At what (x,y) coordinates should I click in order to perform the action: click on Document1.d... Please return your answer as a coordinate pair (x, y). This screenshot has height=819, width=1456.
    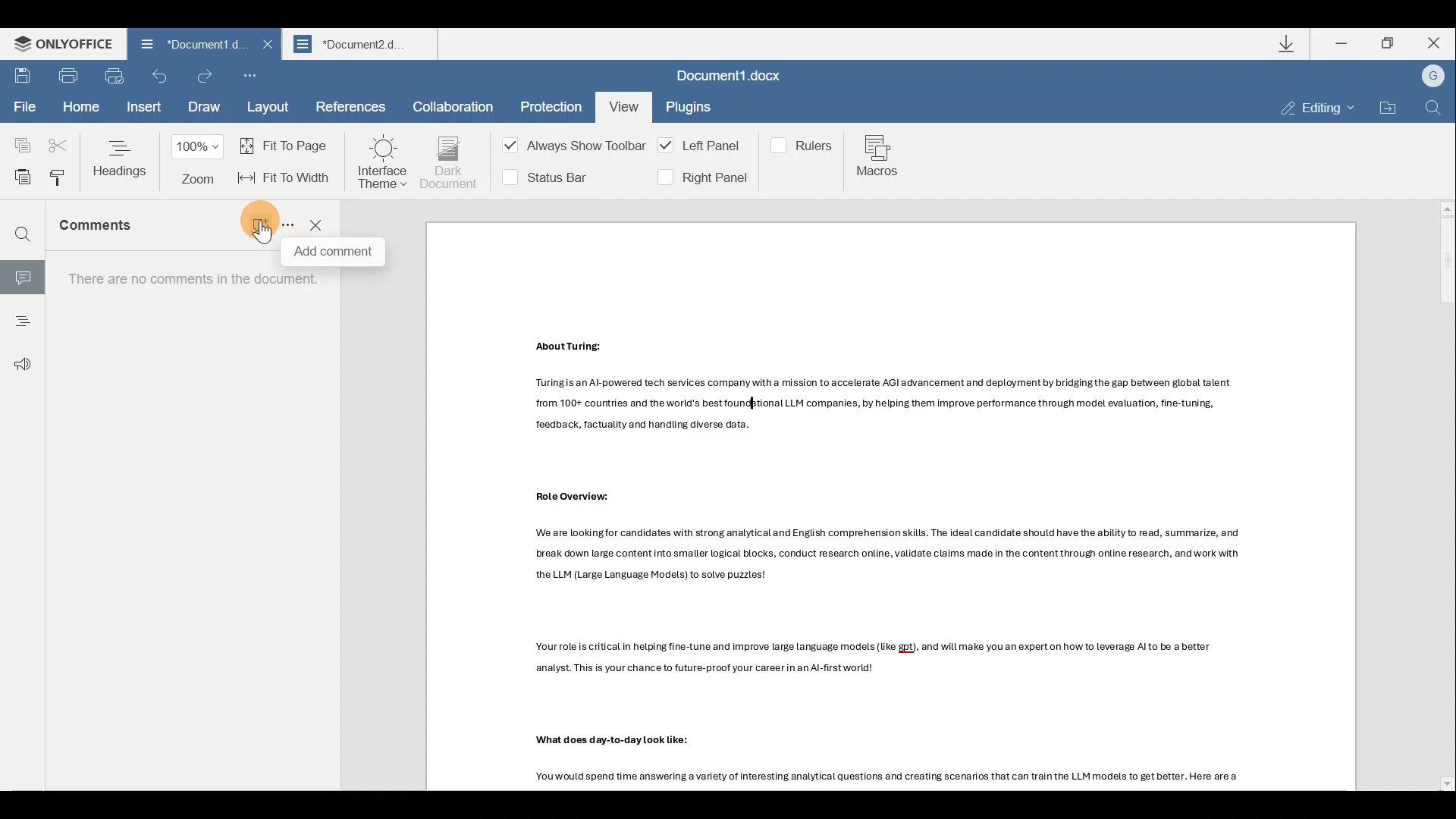
    Looking at the image, I should click on (183, 46).